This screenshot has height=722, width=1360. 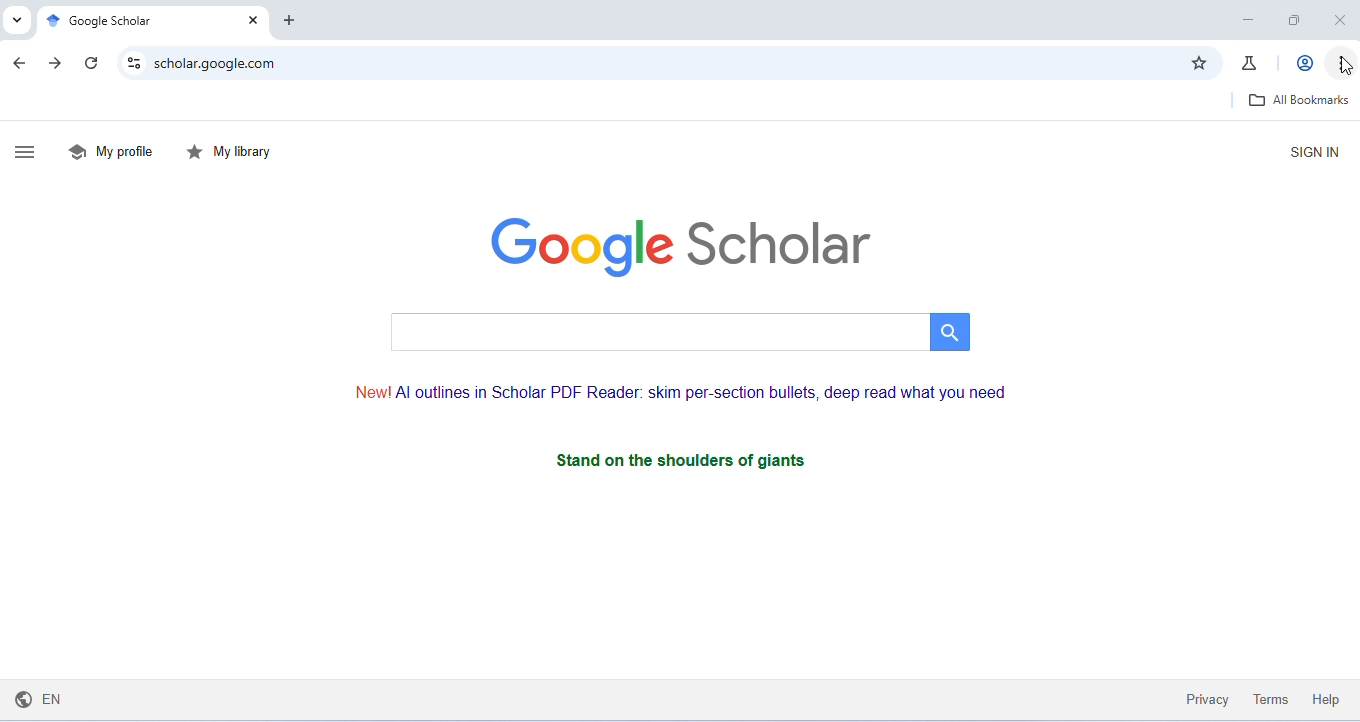 What do you see at coordinates (15, 20) in the screenshot?
I see `search tabs` at bounding box center [15, 20].